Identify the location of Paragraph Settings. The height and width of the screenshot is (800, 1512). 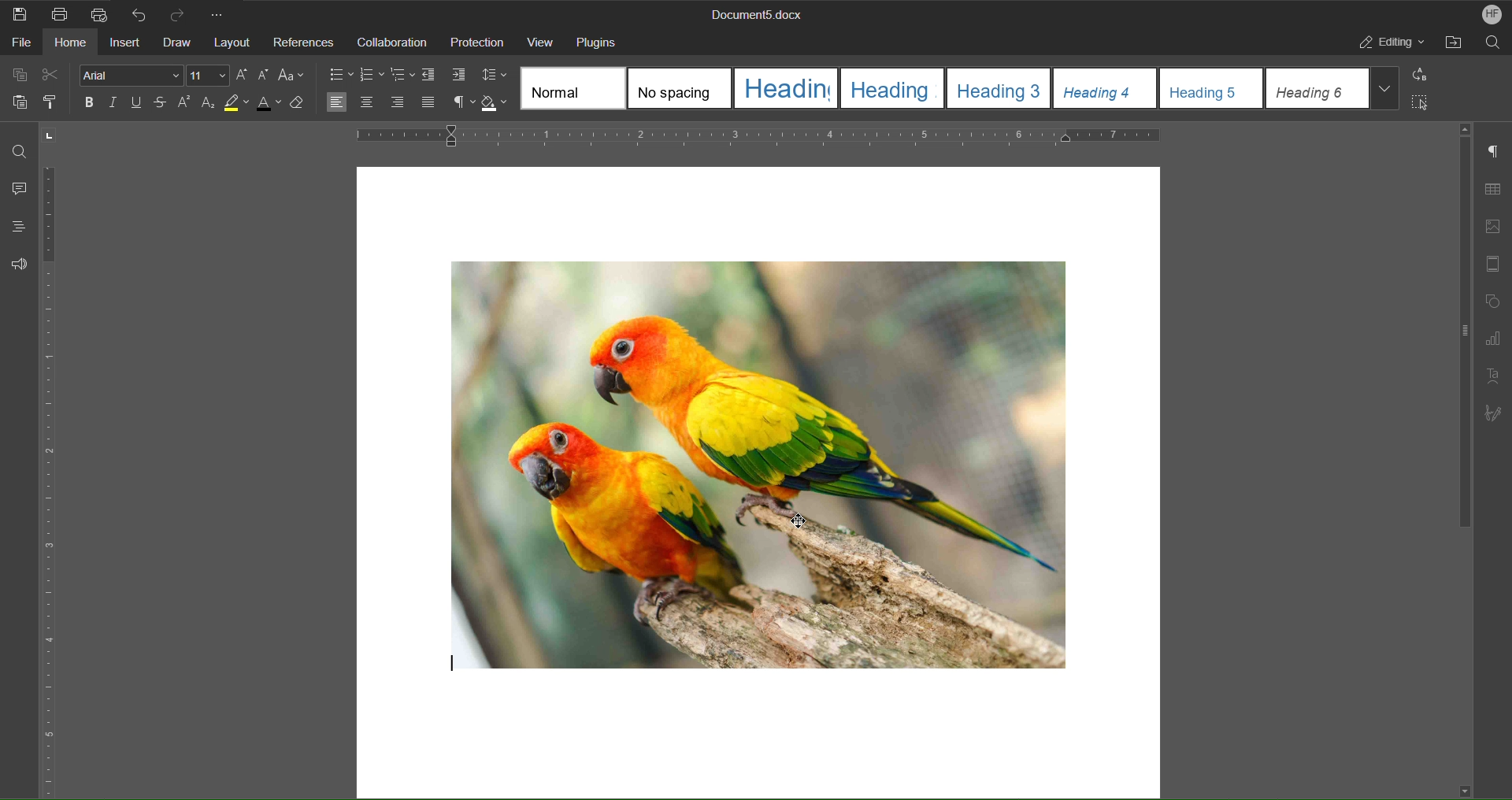
(1495, 151).